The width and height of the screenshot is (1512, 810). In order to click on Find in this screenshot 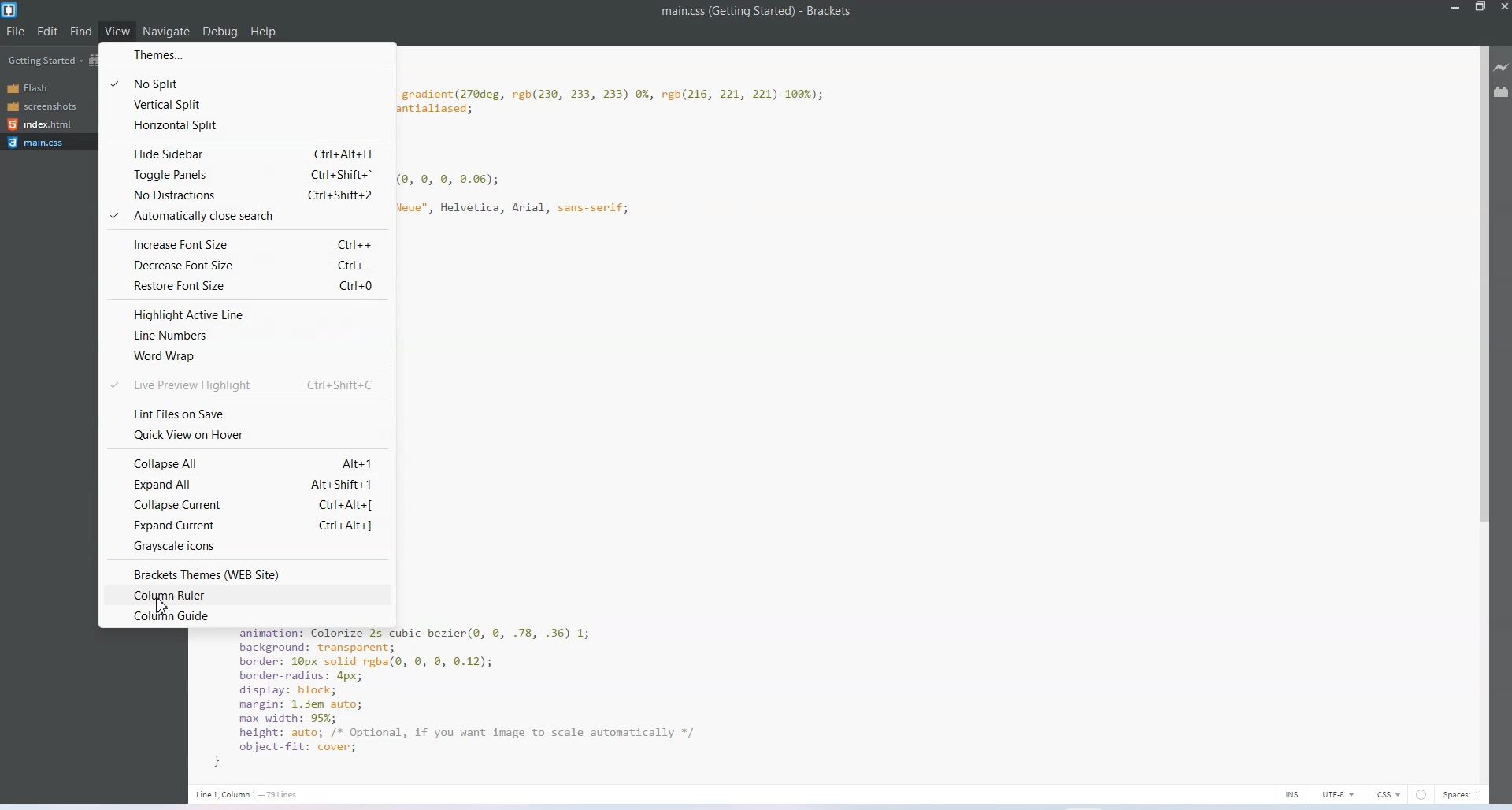, I will do `click(83, 32)`.